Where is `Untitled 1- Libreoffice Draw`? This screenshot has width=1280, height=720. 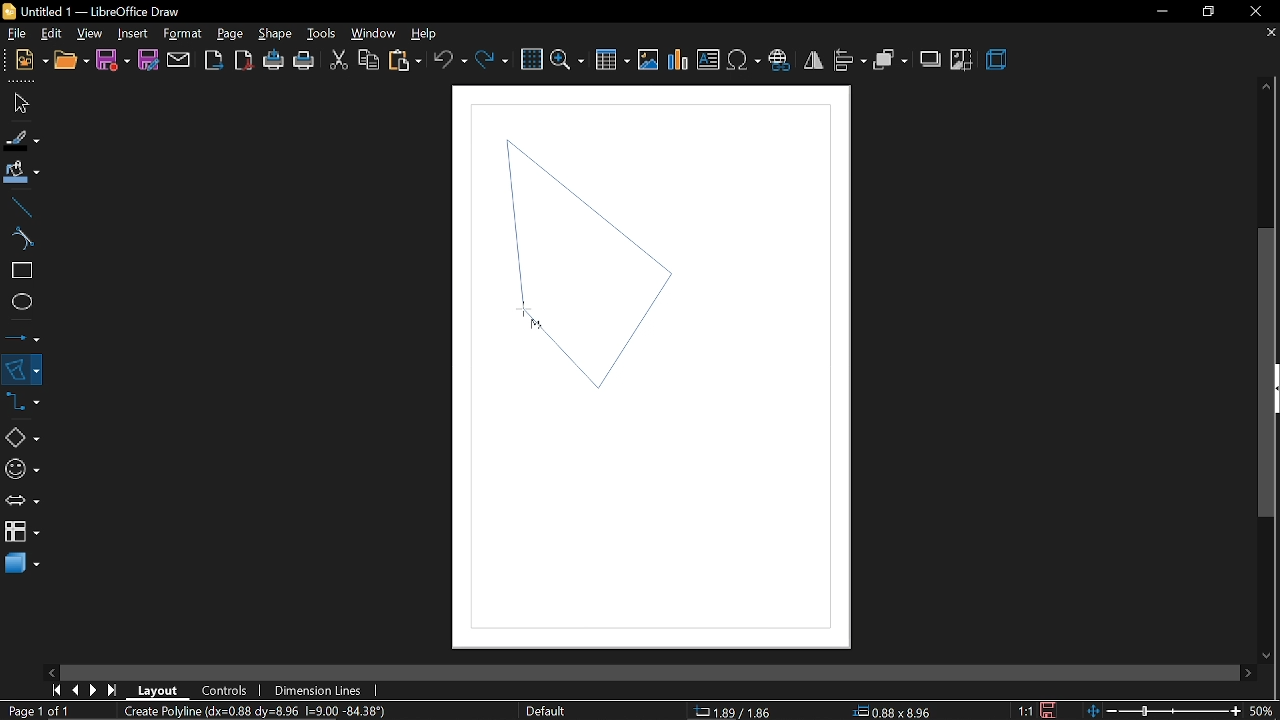
Untitled 1- Libreoffice Draw is located at coordinates (106, 11).